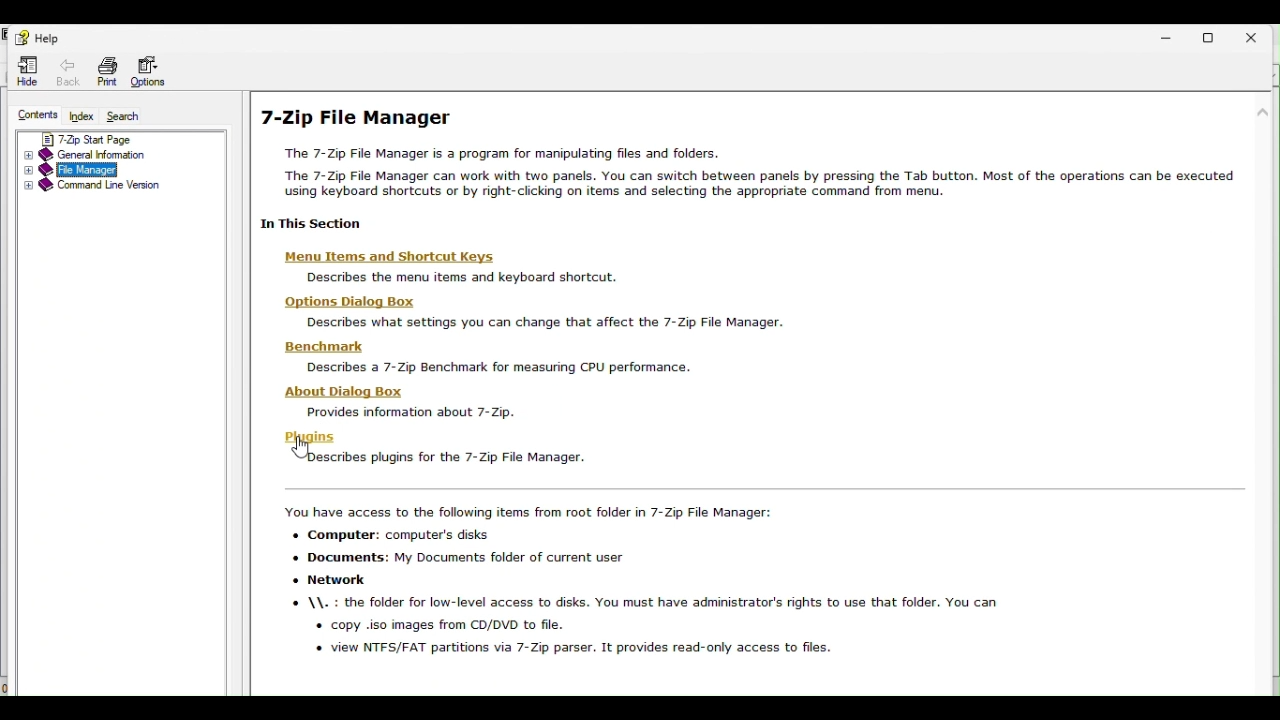 The image size is (1280, 720). I want to click on Content, so click(32, 114).